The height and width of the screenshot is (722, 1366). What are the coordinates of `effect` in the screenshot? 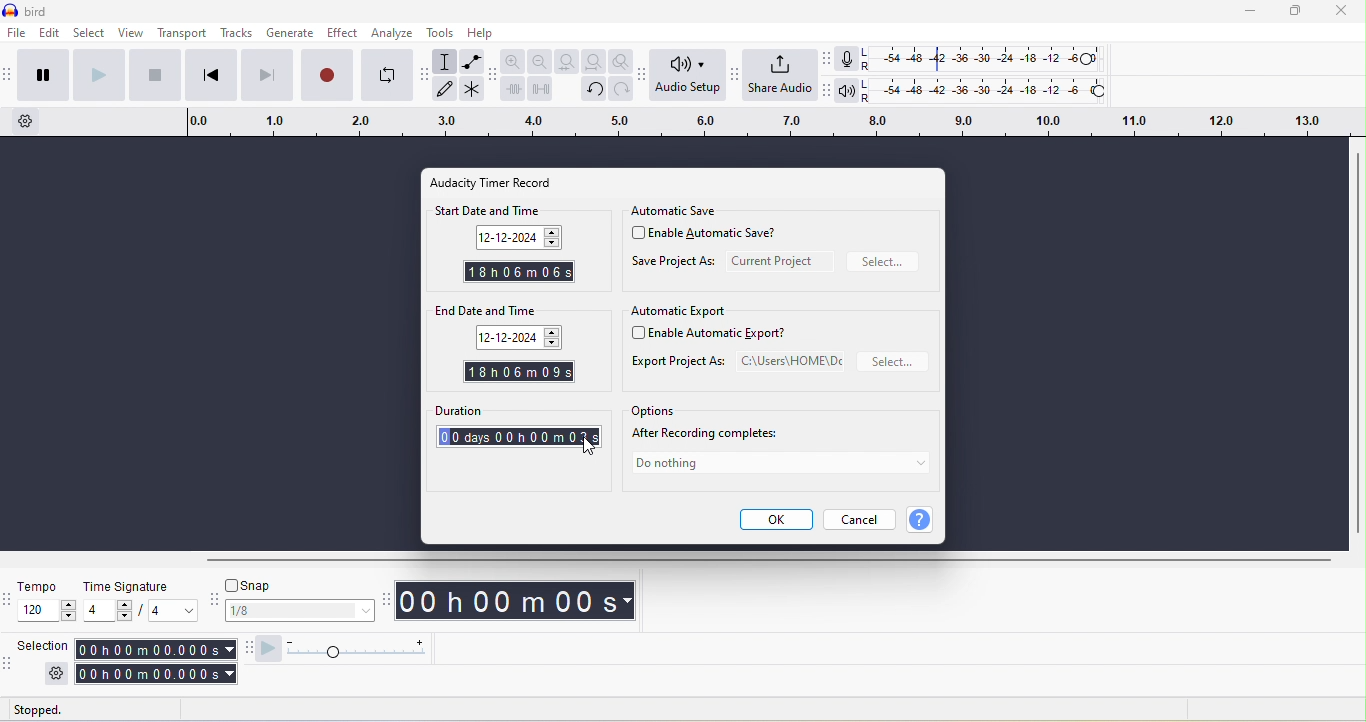 It's located at (342, 34).